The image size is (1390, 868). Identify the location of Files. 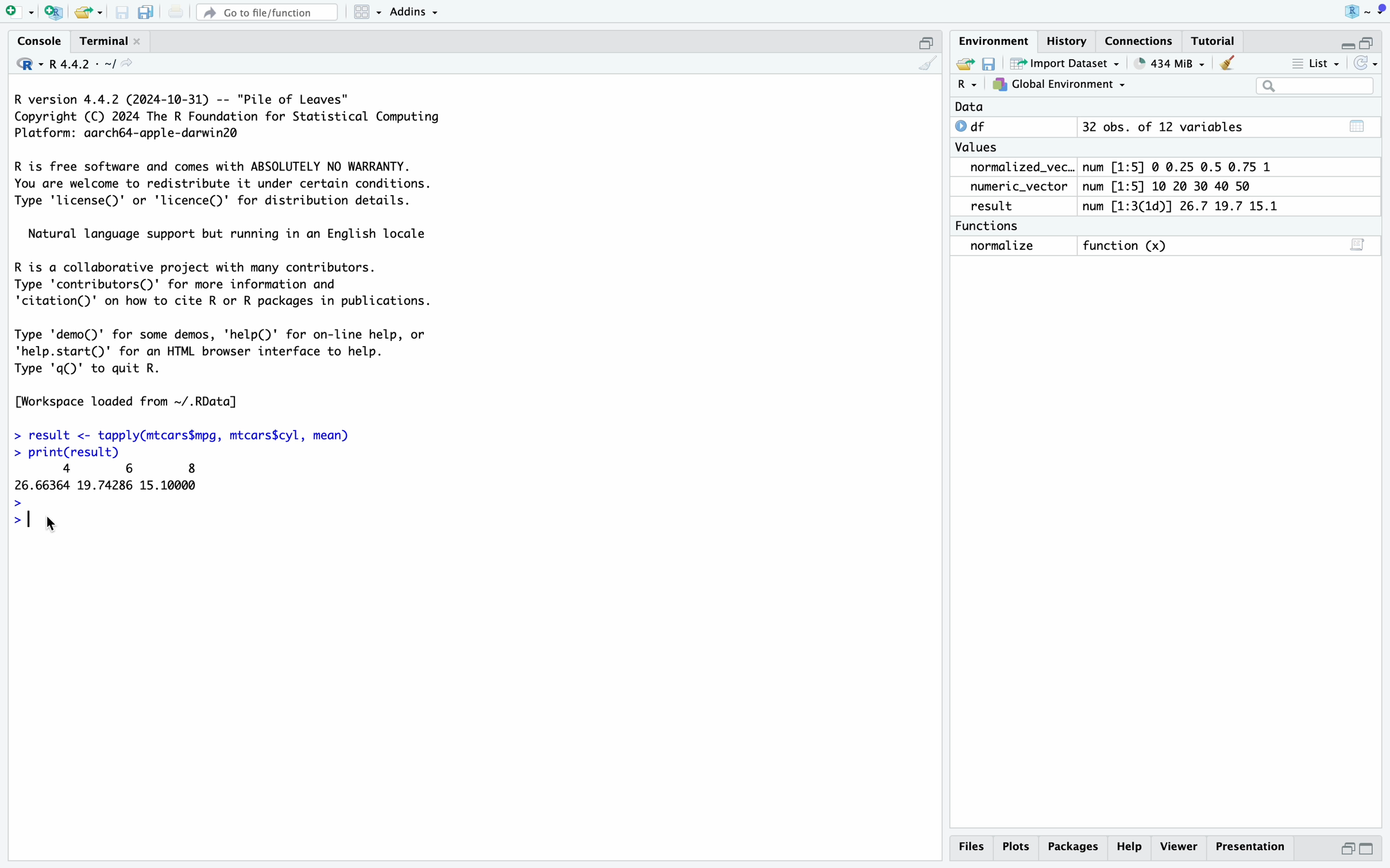
(971, 847).